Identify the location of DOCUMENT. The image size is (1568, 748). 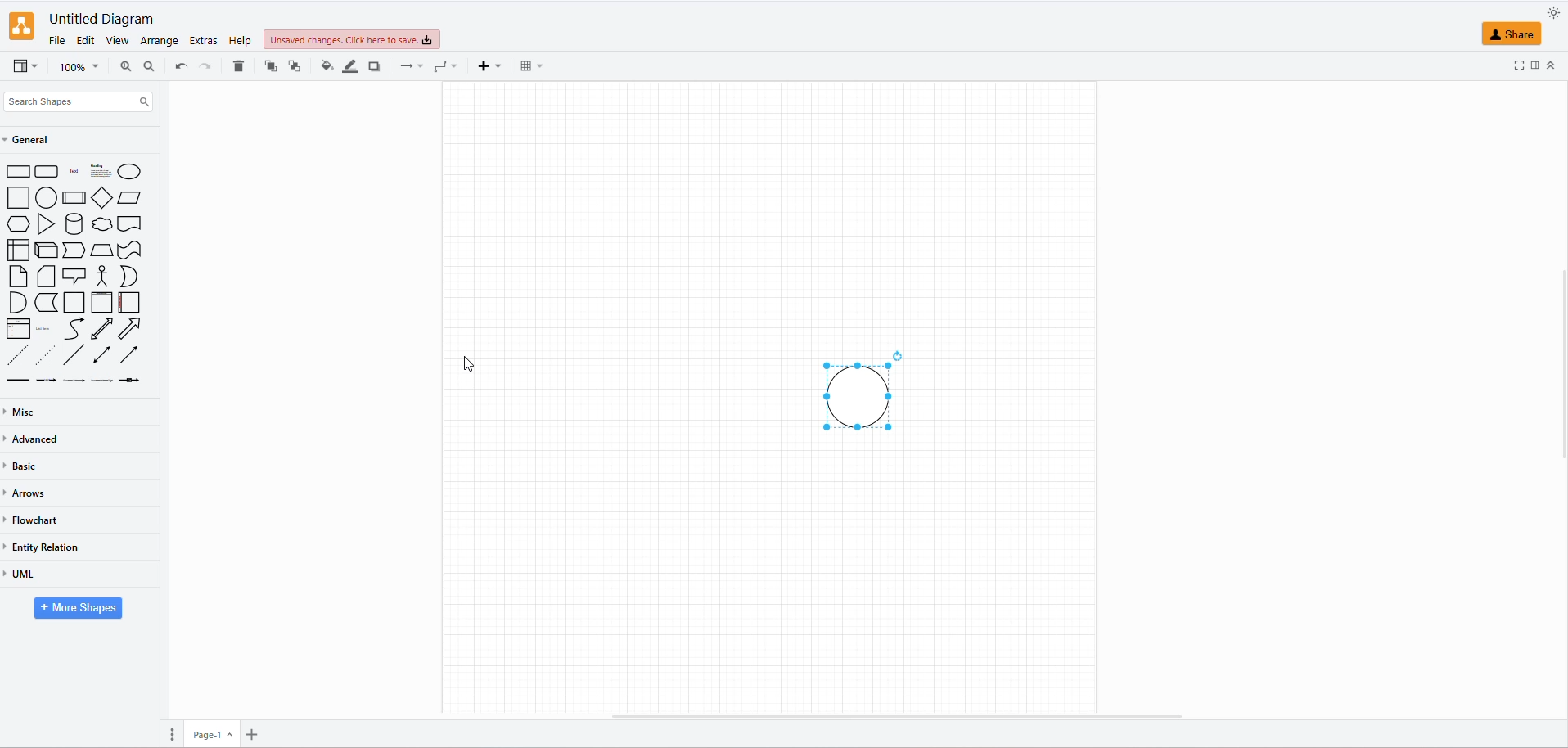
(129, 223).